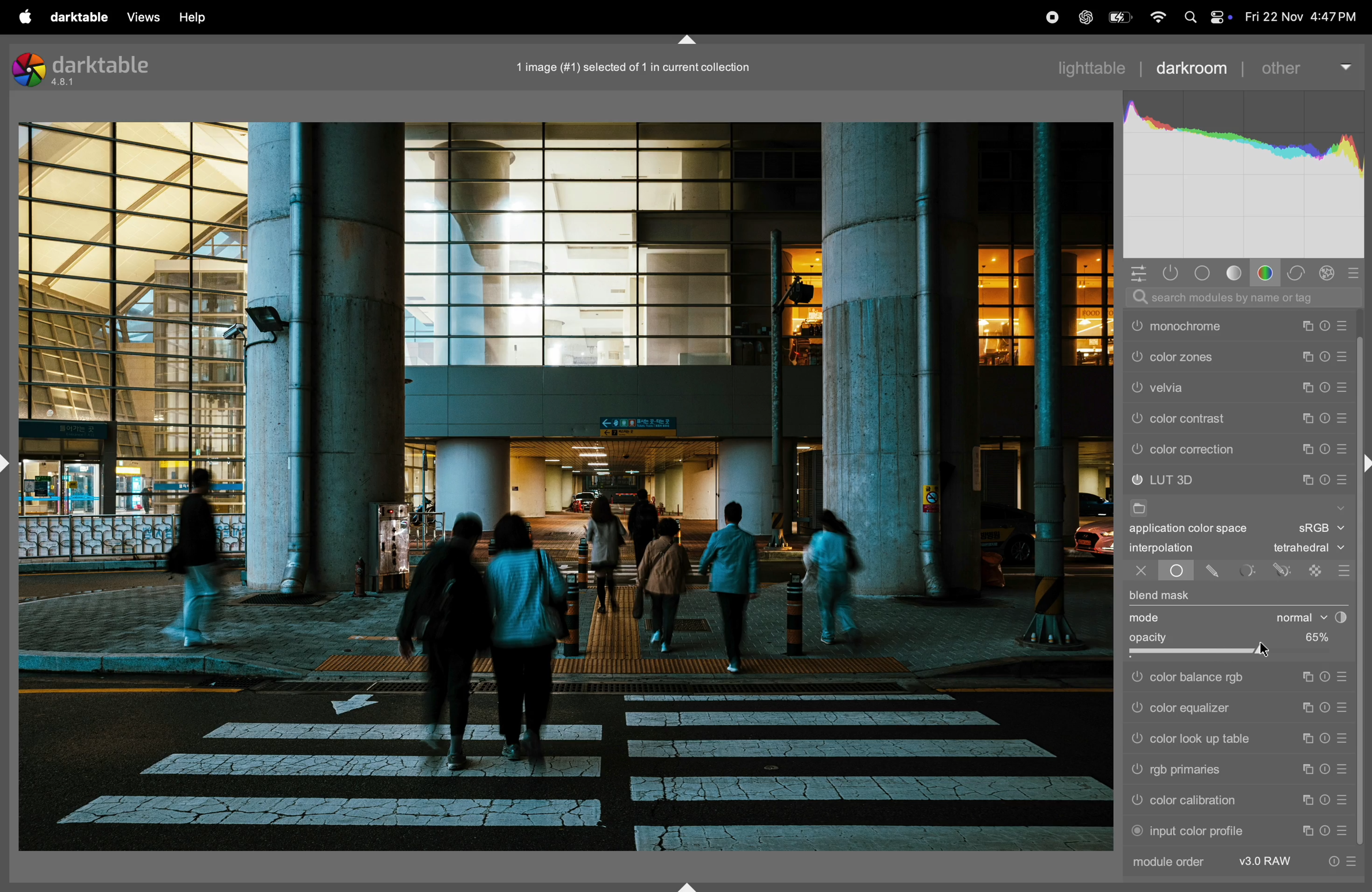 This screenshot has width=1372, height=892. What do you see at coordinates (1137, 480) in the screenshot?
I see `LUT 3D switched off` at bounding box center [1137, 480].